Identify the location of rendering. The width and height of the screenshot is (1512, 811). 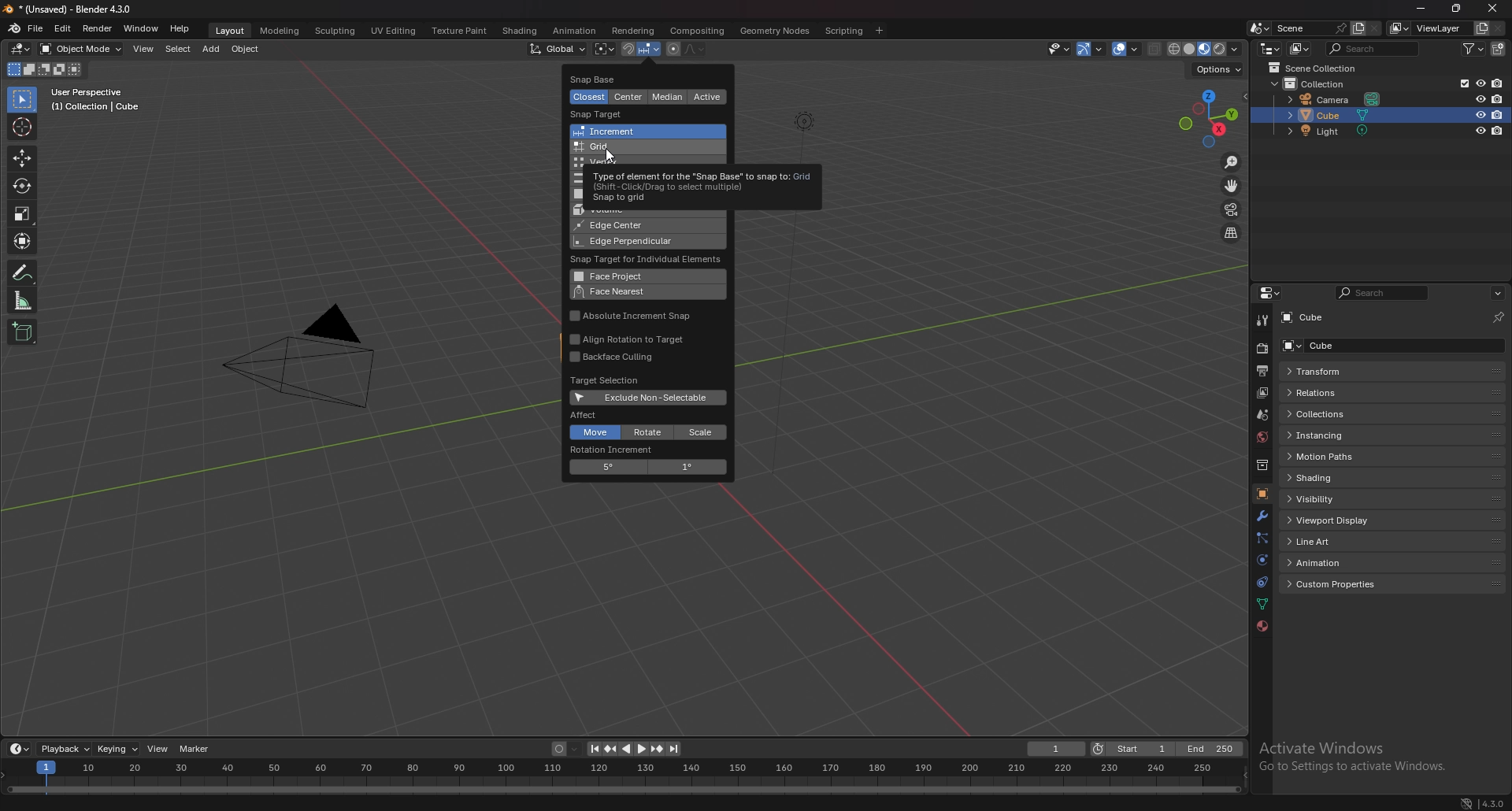
(634, 31).